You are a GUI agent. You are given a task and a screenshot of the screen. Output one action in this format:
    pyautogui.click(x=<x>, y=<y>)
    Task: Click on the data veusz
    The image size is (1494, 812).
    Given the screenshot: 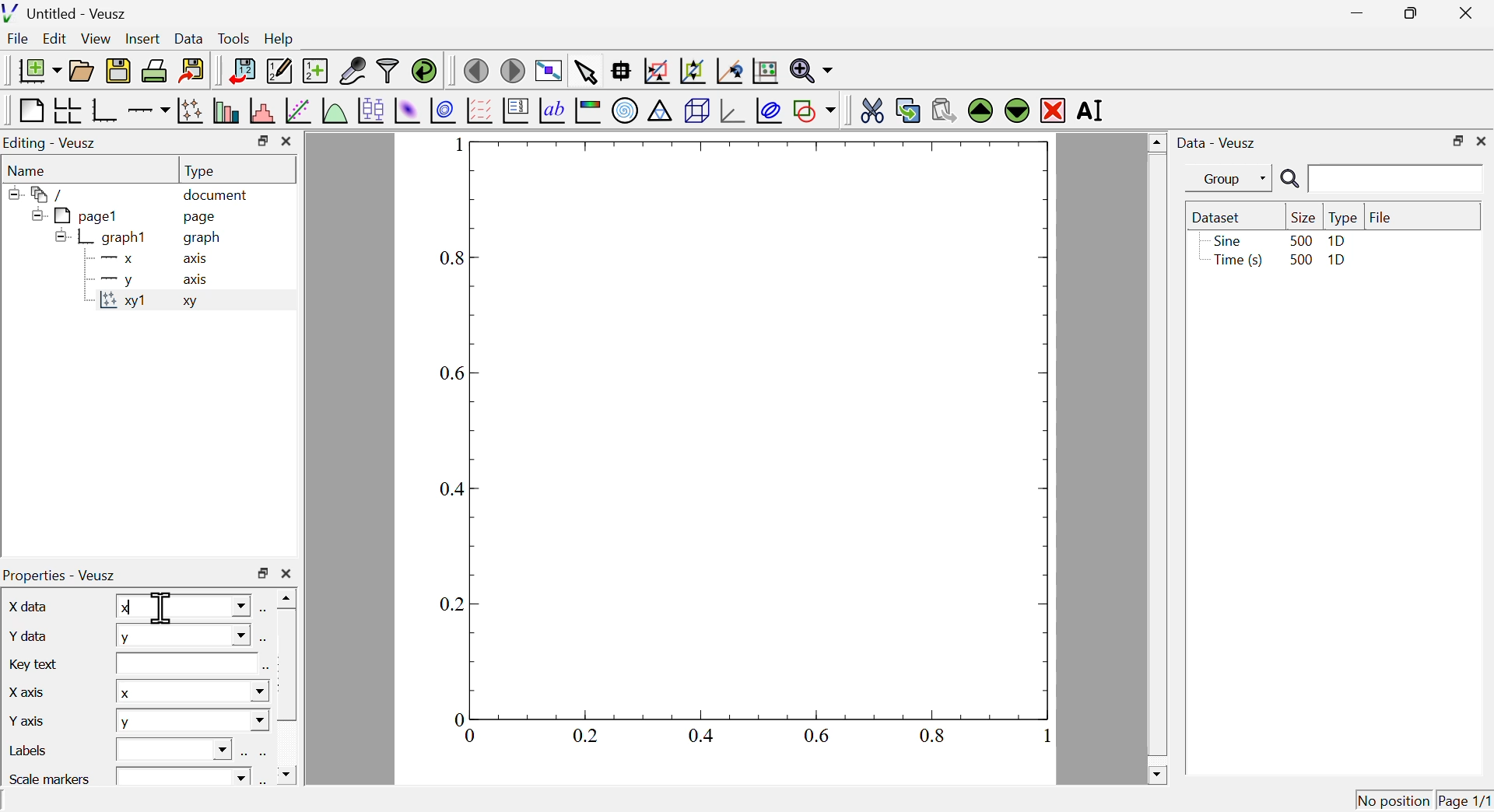 What is the action you would take?
    pyautogui.click(x=1217, y=142)
    